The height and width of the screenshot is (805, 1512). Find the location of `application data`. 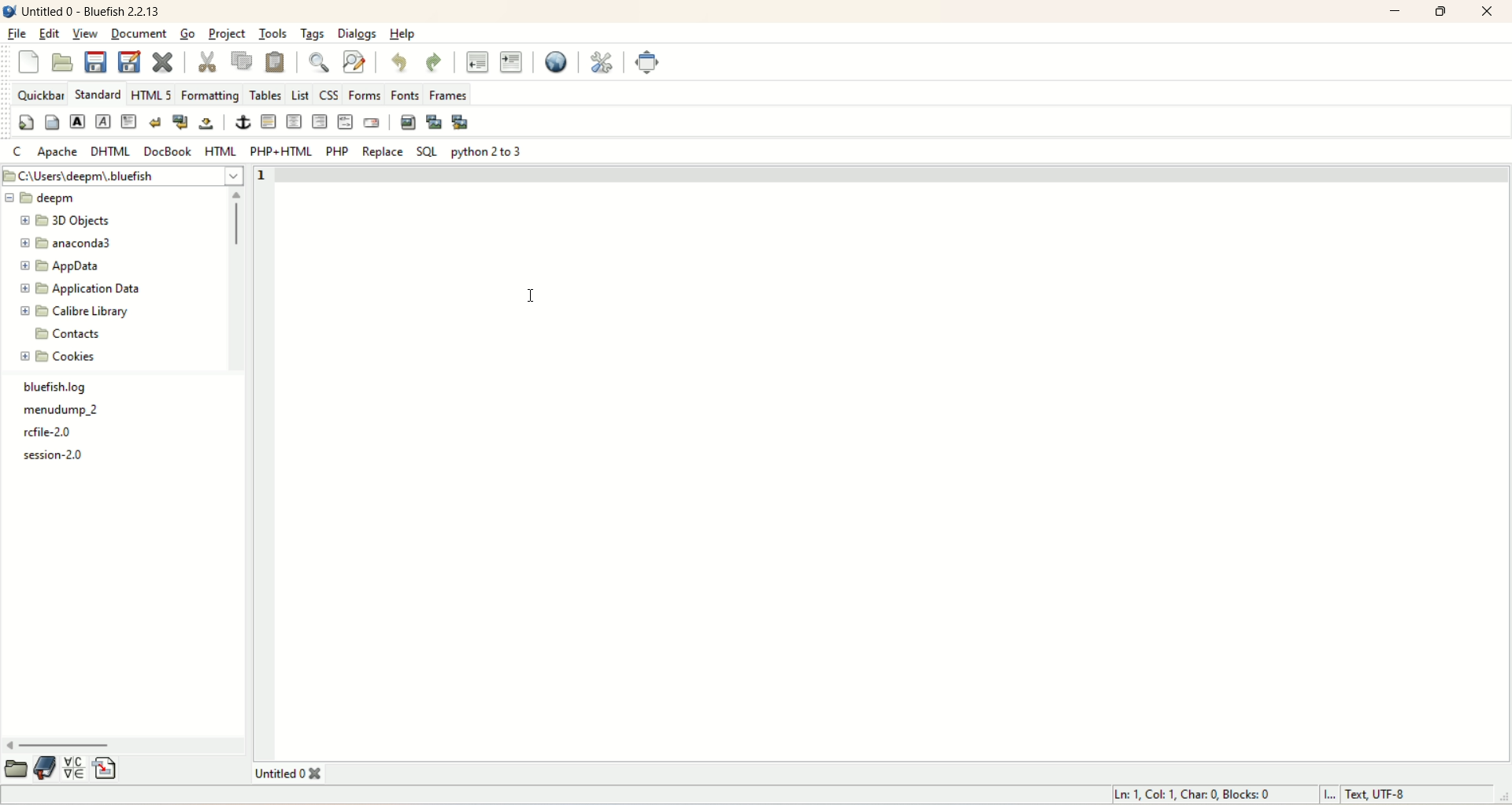

application data is located at coordinates (84, 289).